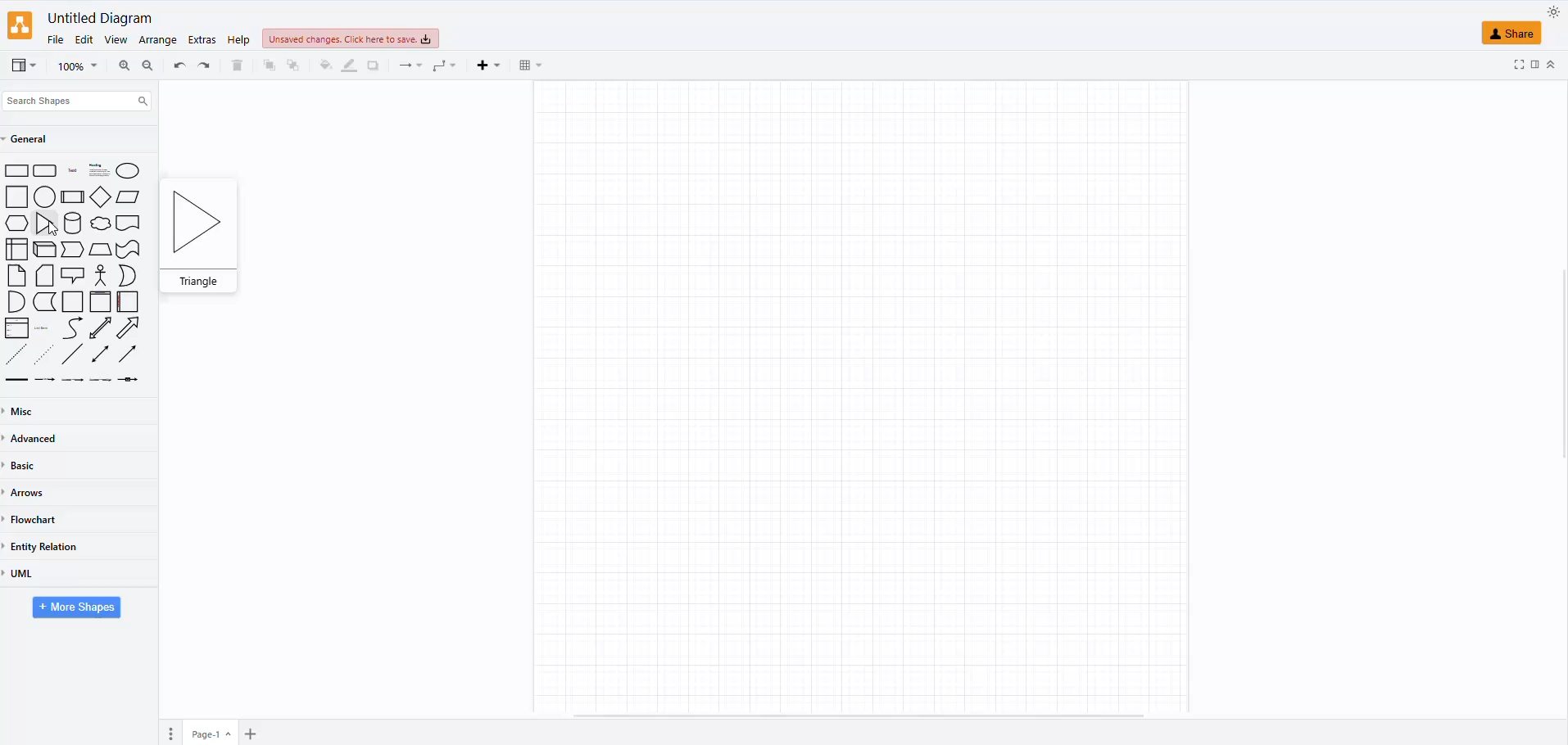 This screenshot has height=745, width=1568. Describe the element at coordinates (21, 26) in the screenshot. I see `logo` at that location.